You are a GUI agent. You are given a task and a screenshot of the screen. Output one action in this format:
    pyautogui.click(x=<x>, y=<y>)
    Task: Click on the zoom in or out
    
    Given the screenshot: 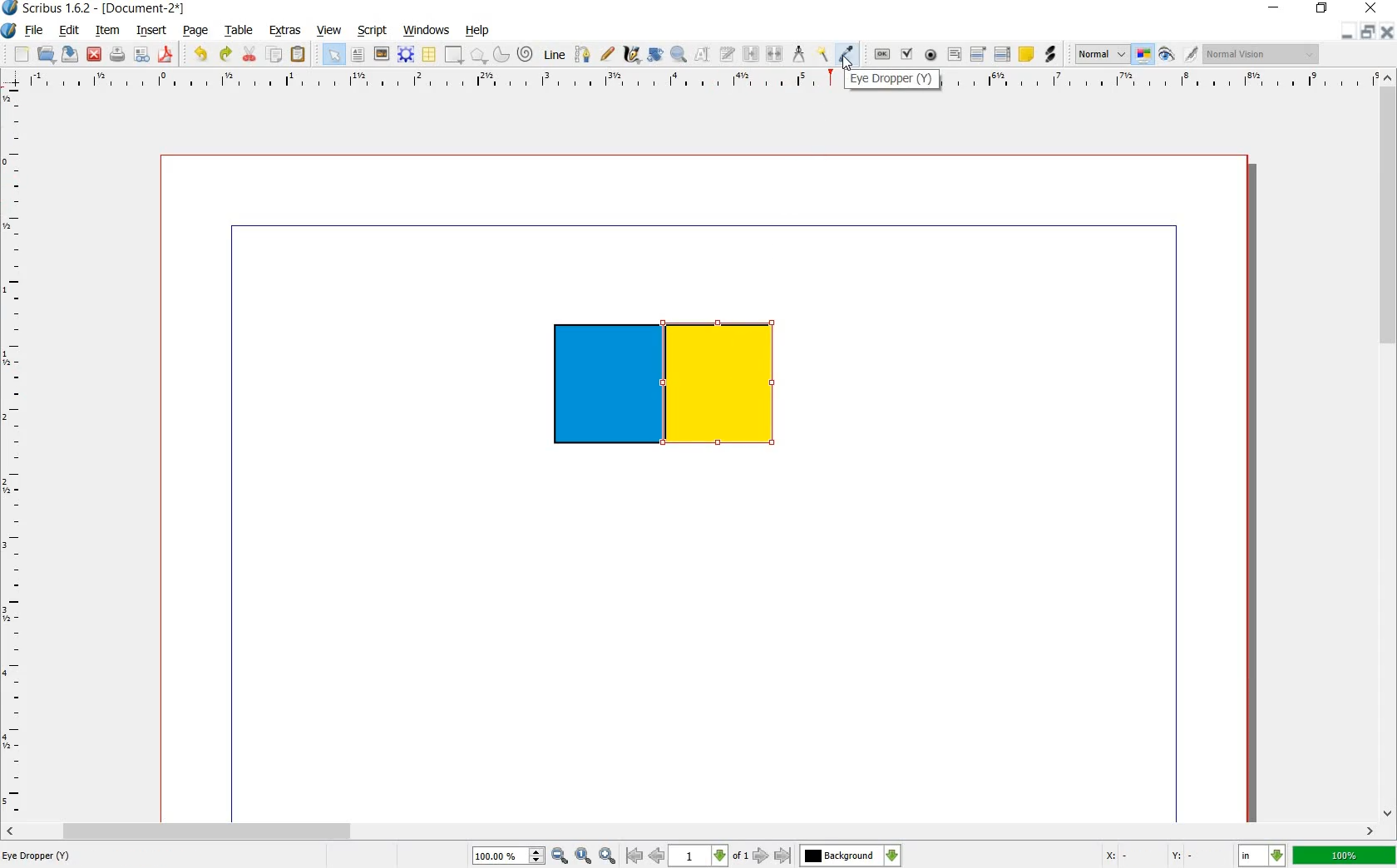 What is the action you would take?
    pyautogui.click(x=679, y=56)
    